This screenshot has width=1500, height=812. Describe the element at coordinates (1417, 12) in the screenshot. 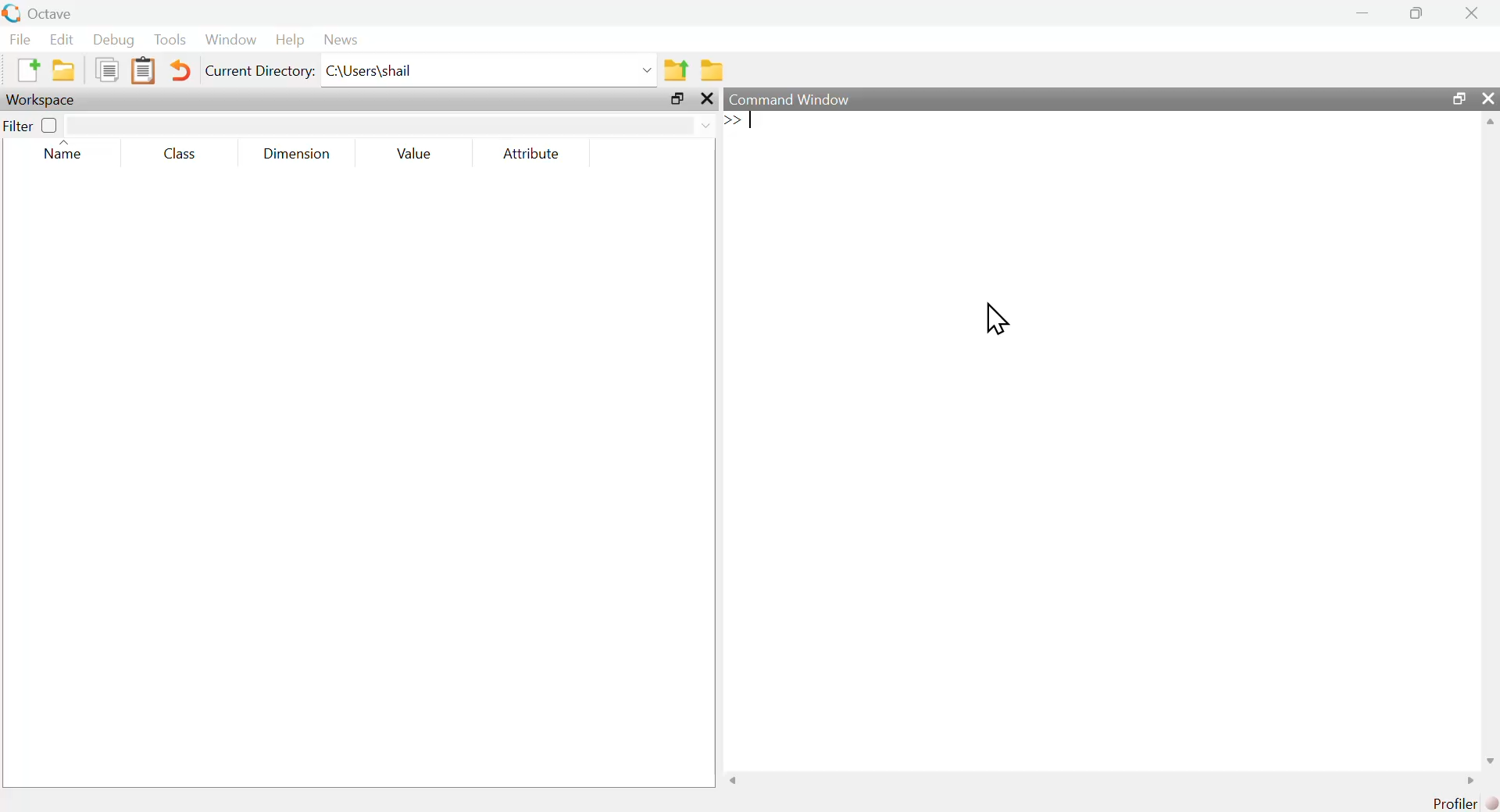

I see `maximize` at that location.